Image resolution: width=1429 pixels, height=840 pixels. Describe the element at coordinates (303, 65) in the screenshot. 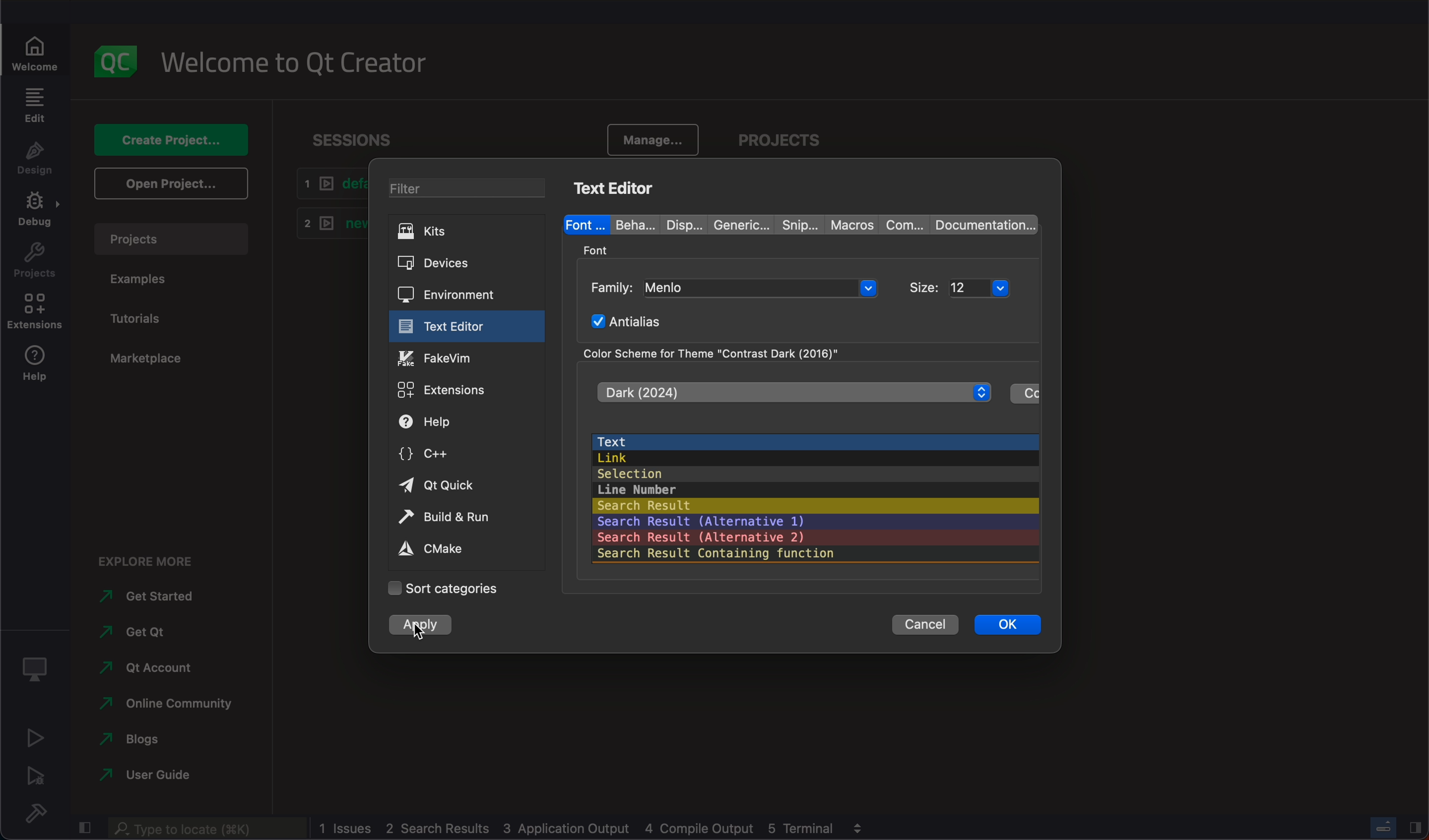

I see `welcome to Qt` at that location.